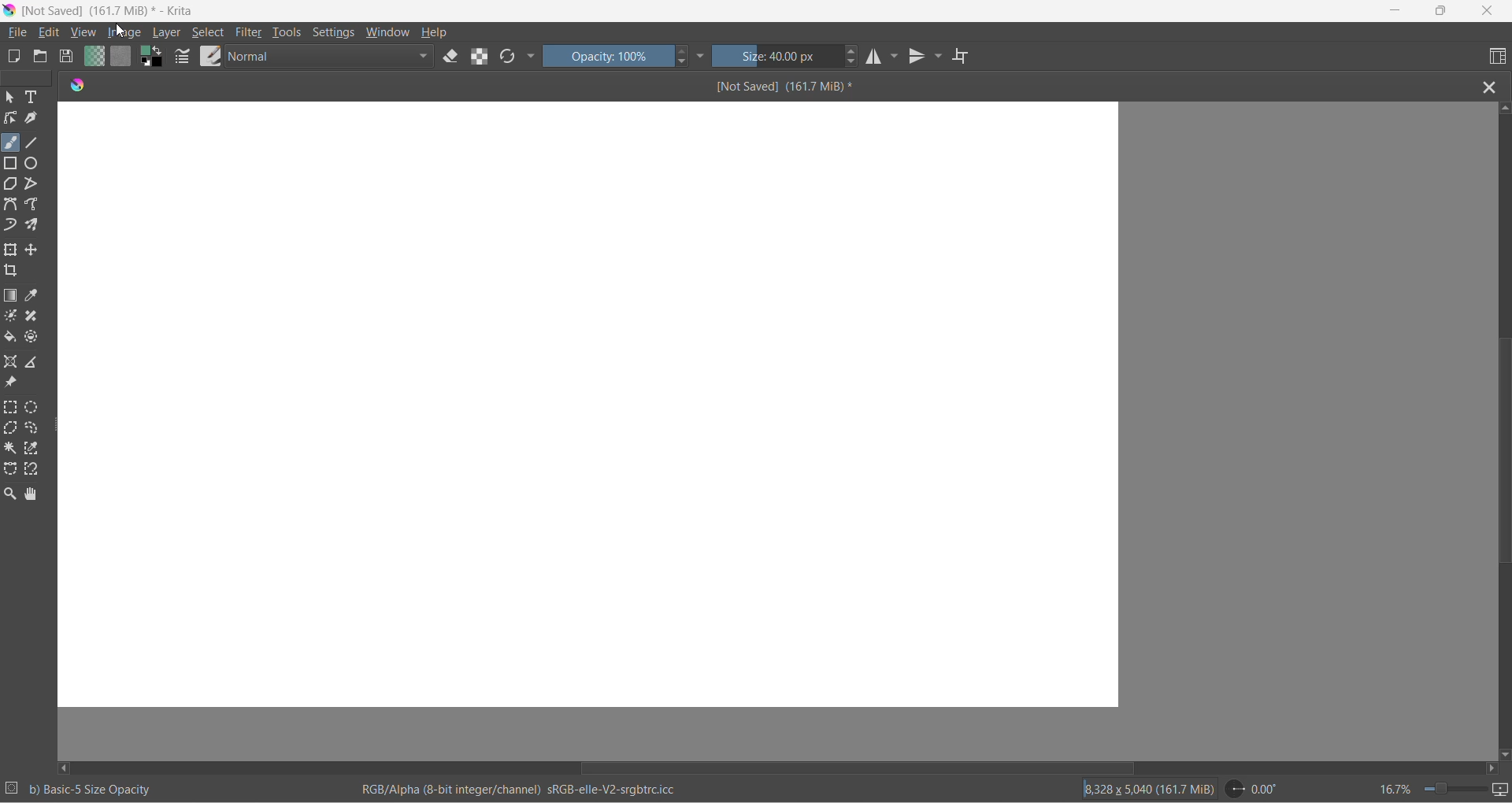  What do you see at coordinates (918, 58) in the screenshot?
I see `vertical mirror tool` at bounding box center [918, 58].